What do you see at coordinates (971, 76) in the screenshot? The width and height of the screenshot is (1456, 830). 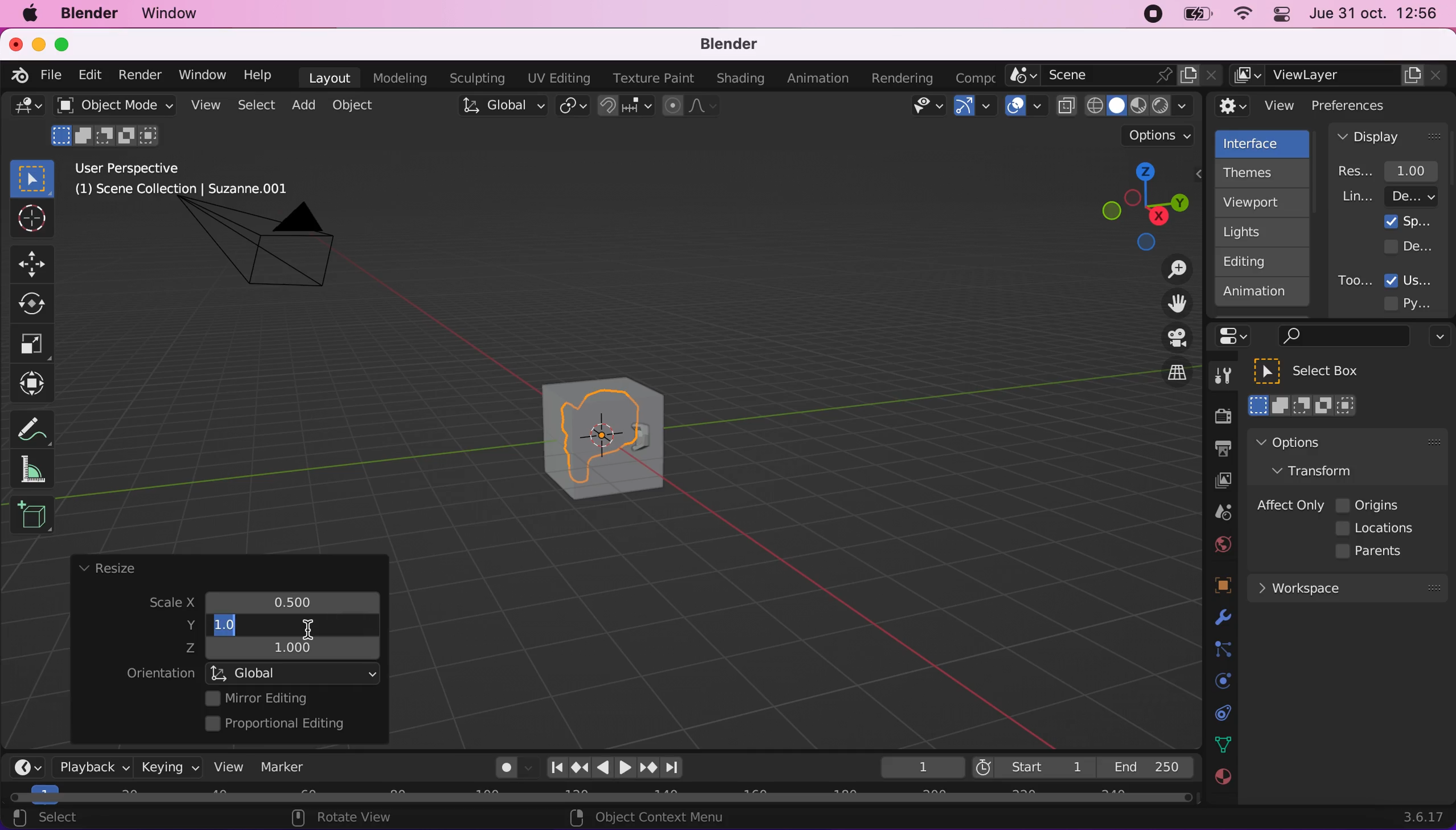 I see `active workspace` at bounding box center [971, 76].